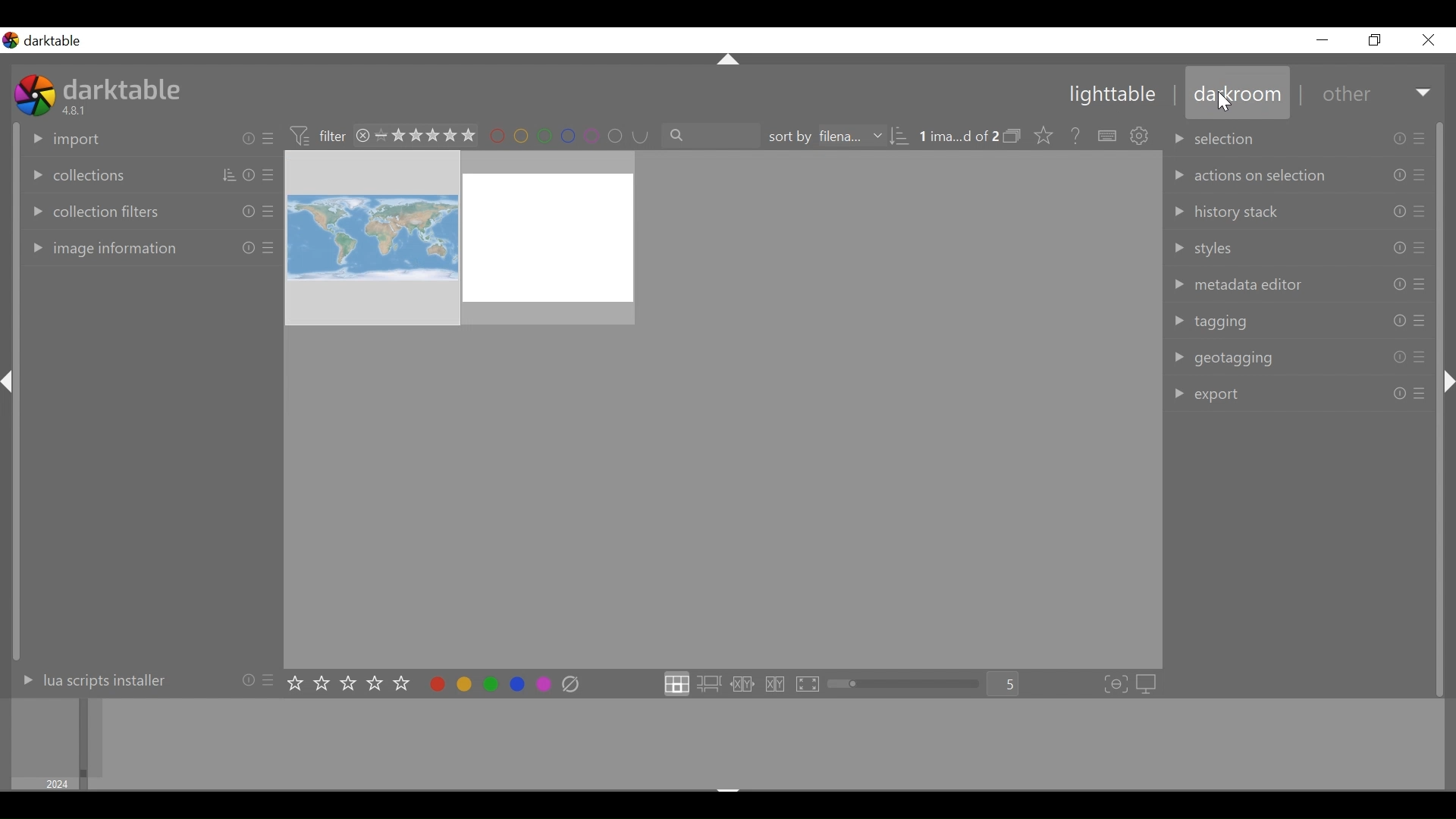  I want to click on darktable desktop icon, so click(35, 96).